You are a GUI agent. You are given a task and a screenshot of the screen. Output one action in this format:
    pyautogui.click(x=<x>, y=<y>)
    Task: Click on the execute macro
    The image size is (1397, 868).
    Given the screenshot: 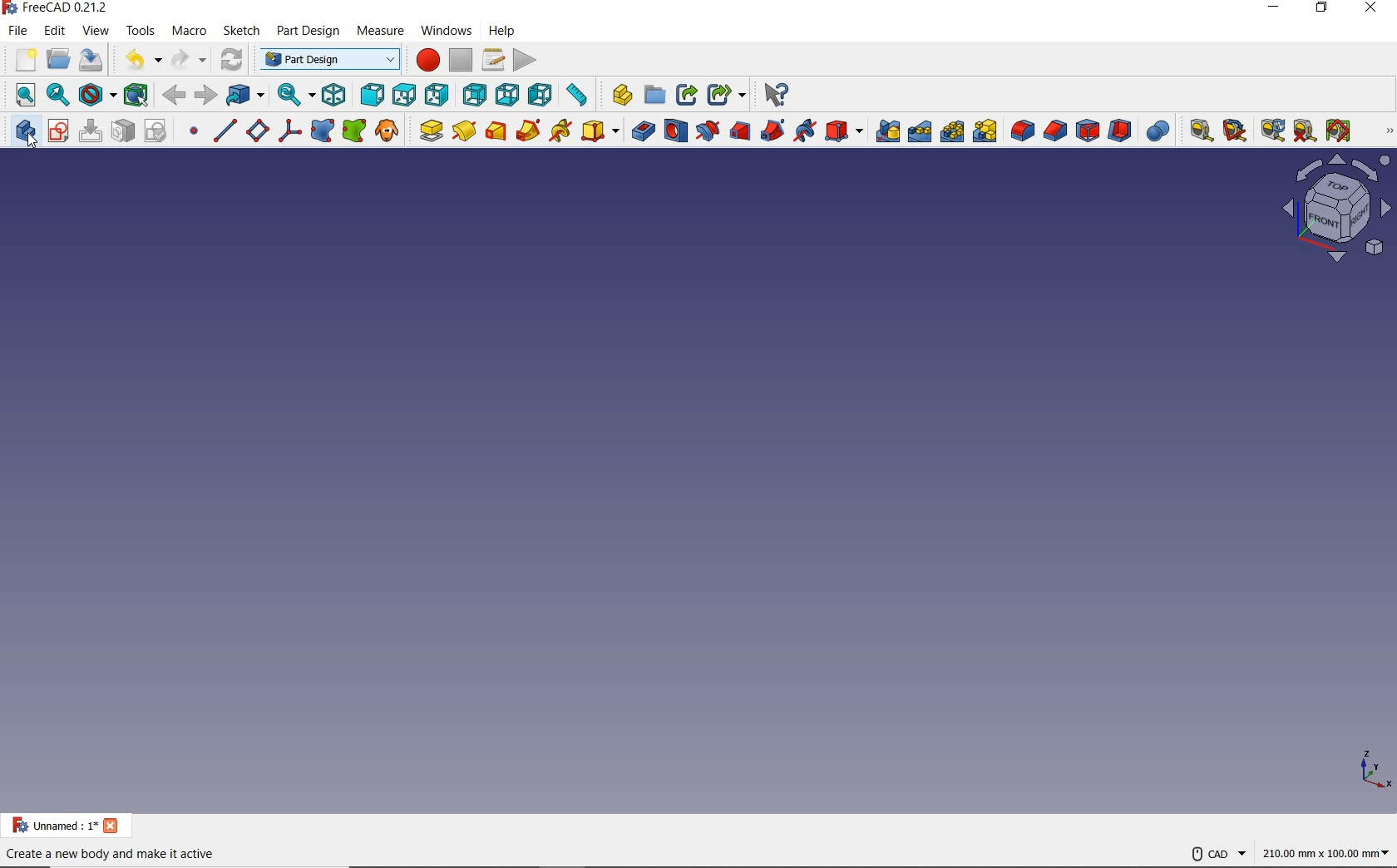 What is the action you would take?
    pyautogui.click(x=526, y=61)
    